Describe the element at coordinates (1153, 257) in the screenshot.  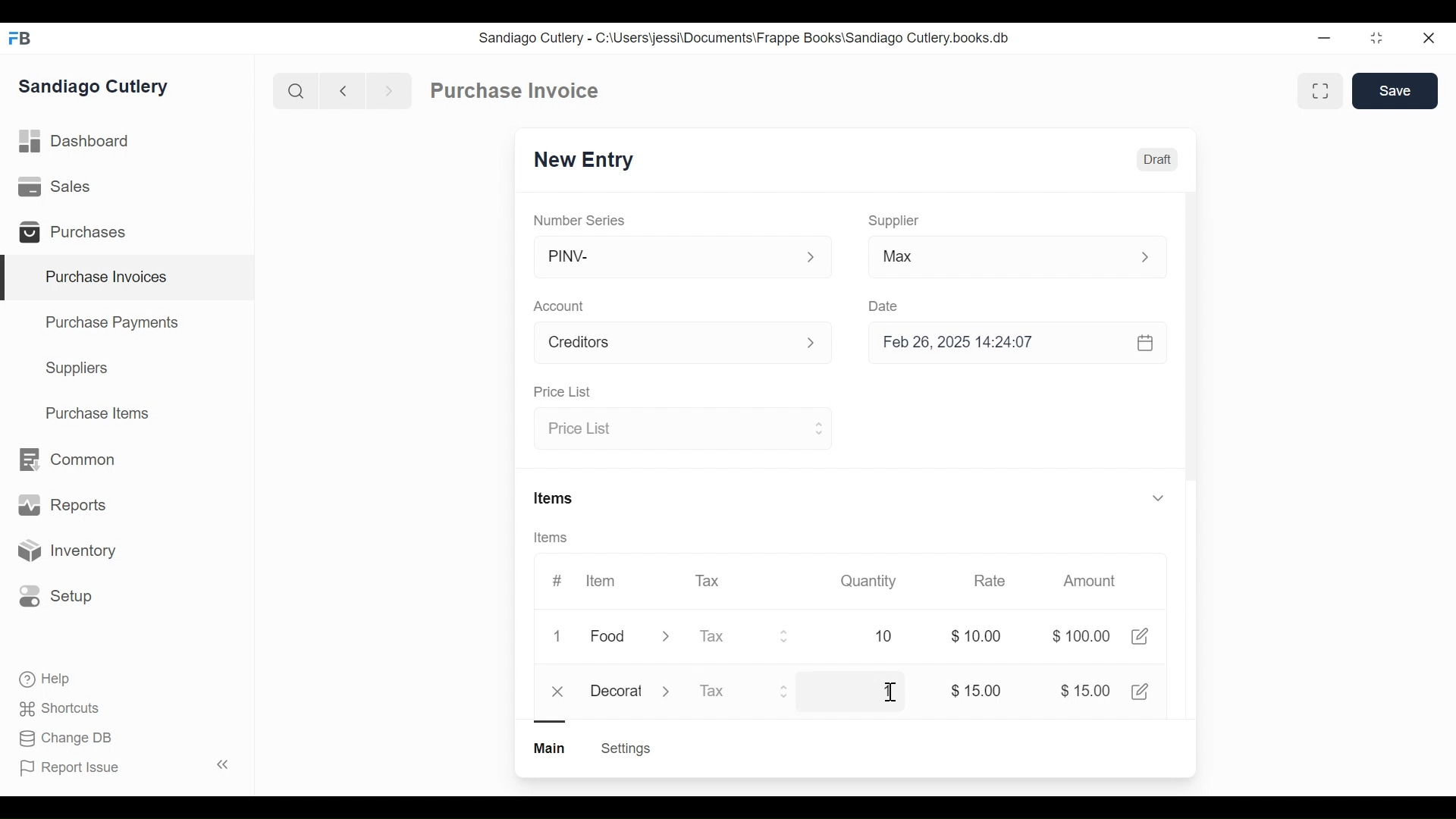
I see `Expand` at that location.